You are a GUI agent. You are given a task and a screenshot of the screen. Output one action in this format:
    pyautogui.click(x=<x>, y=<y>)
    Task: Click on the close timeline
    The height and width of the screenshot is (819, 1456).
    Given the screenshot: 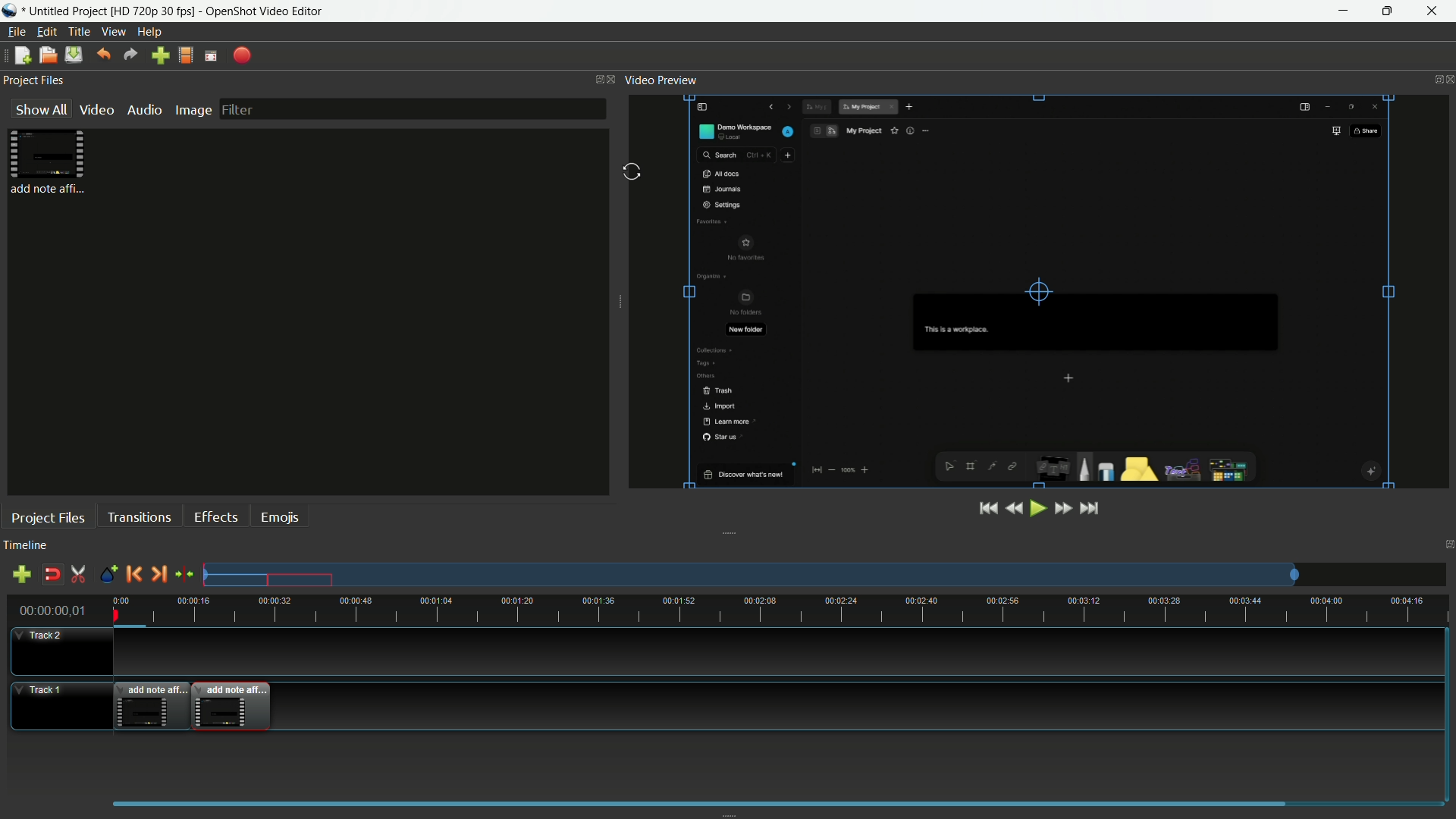 What is the action you would take?
    pyautogui.click(x=1448, y=543)
    